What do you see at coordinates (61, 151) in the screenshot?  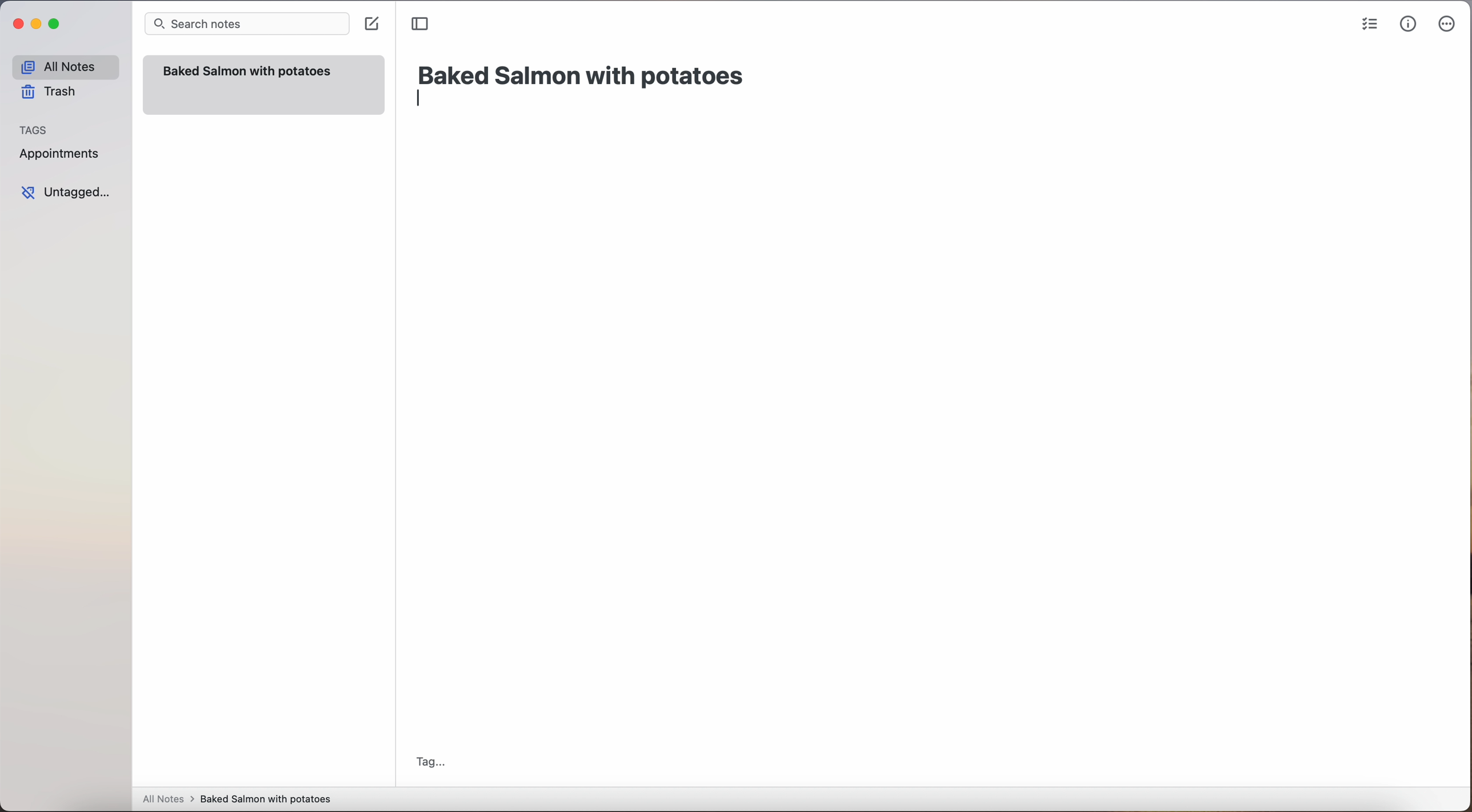 I see `appointments tag` at bounding box center [61, 151].